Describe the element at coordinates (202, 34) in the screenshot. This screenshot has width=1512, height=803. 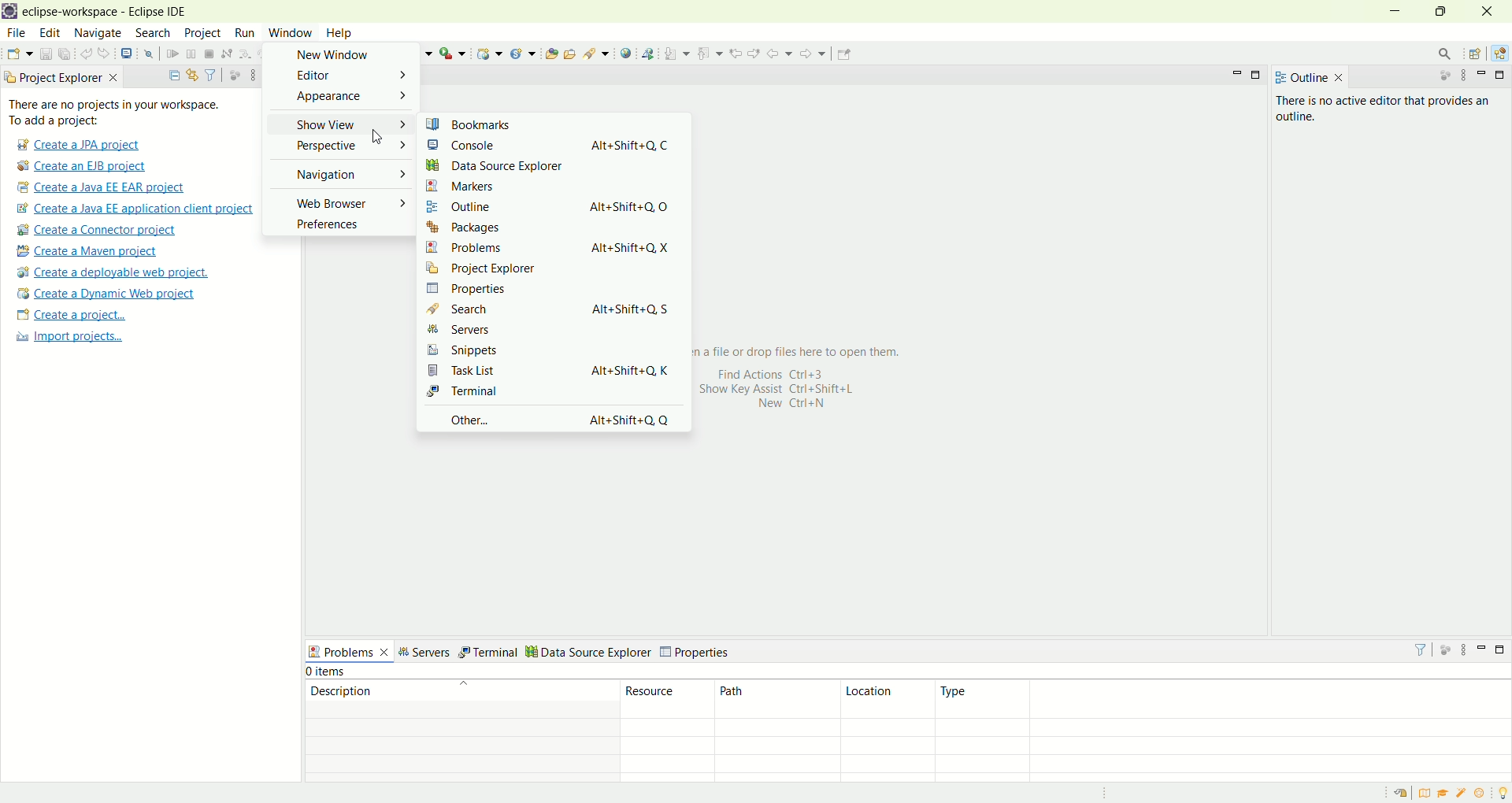
I see `project` at that location.